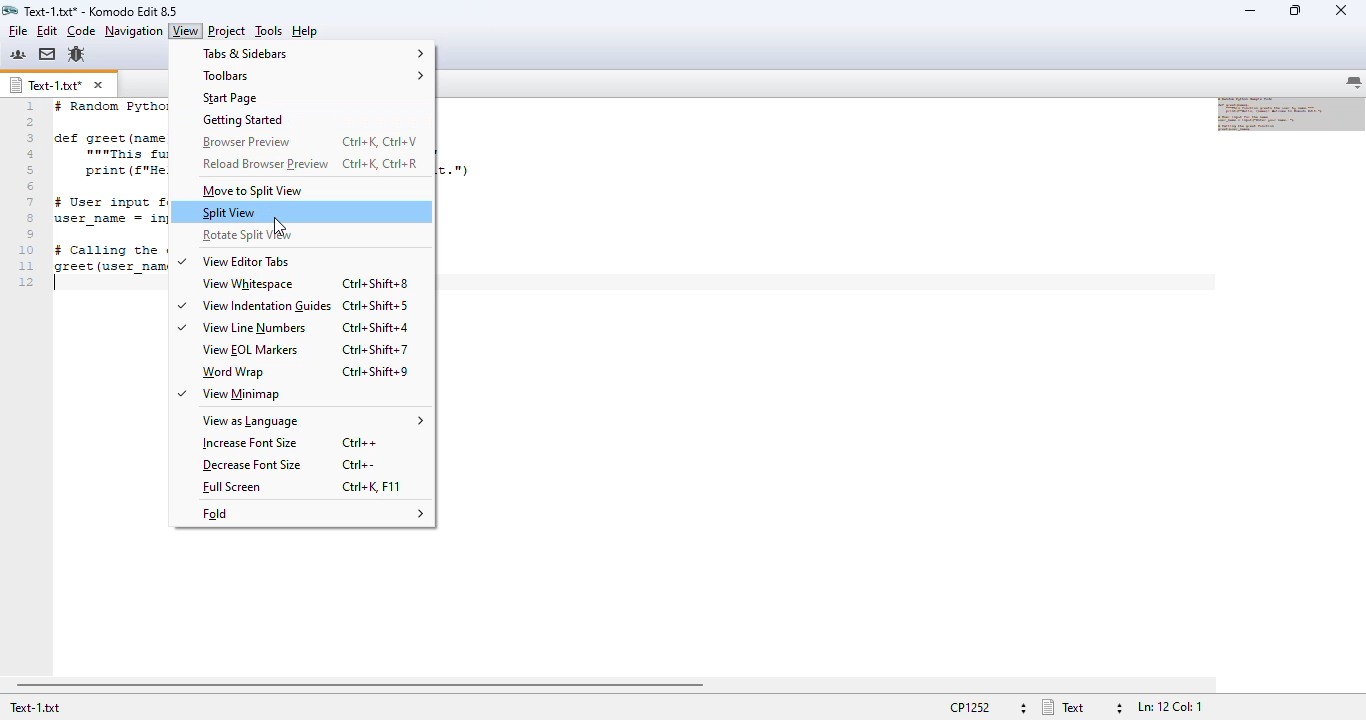  What do you see at coordinates (9, 11) in the screenshot?
I see `logo` at bounding box center [9, 11].